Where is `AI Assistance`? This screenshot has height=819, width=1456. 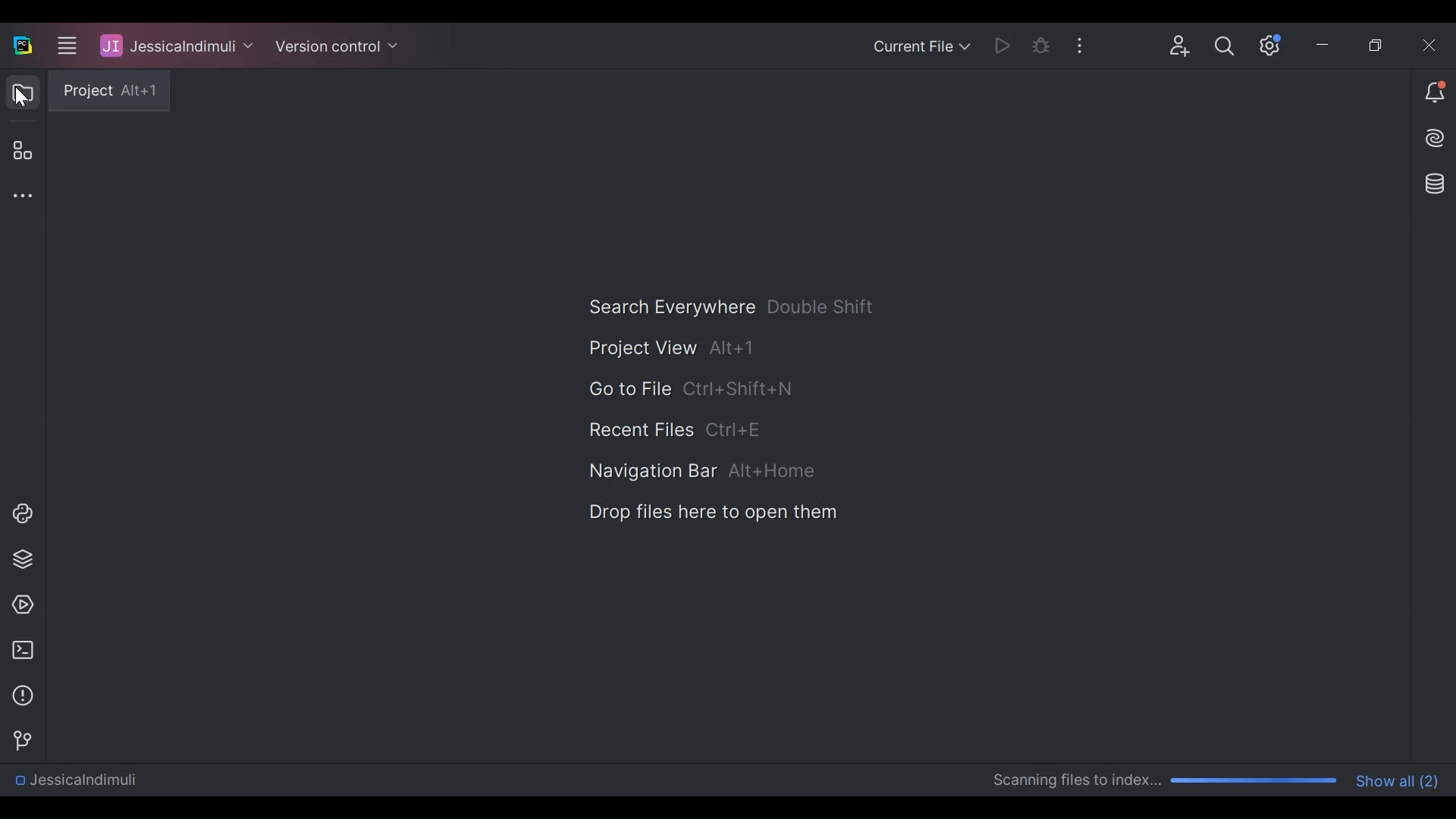
AI Assistance is located at coordinates (1434, 138).